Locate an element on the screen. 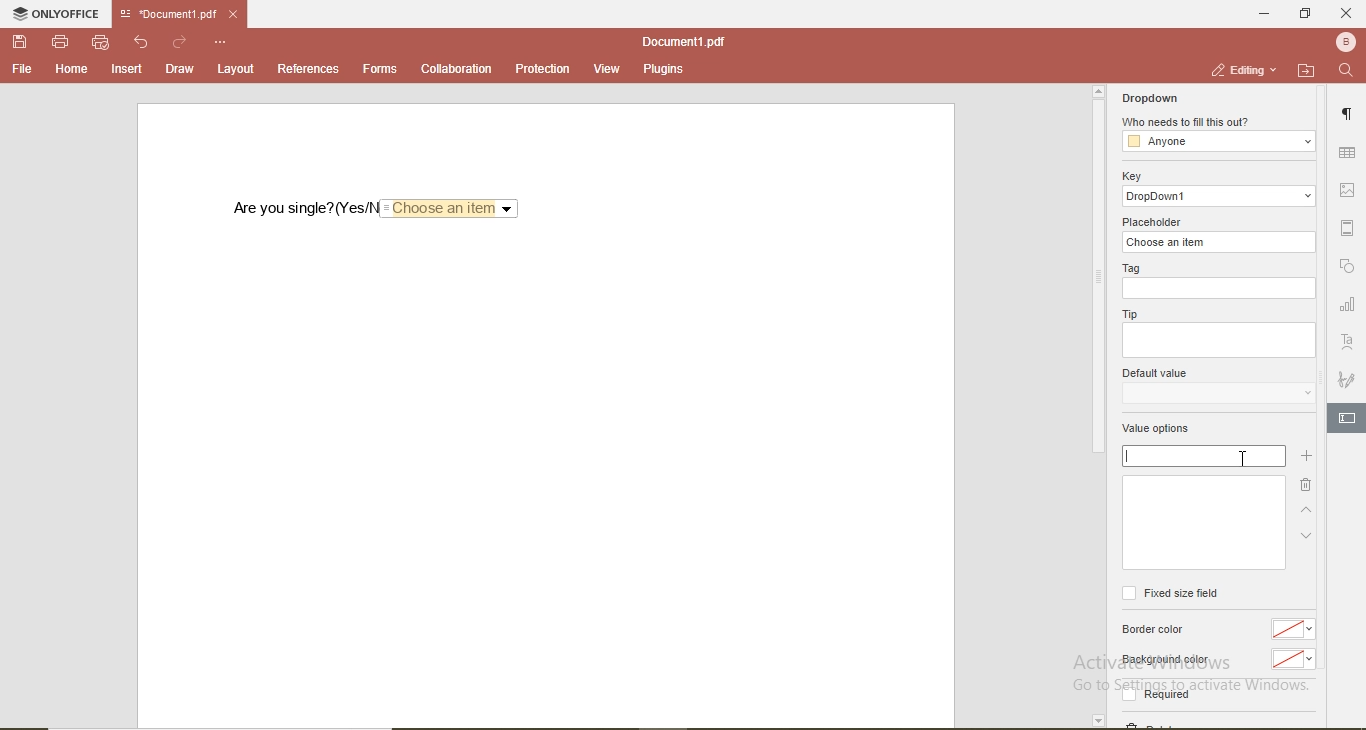  font style is located at coordinates (1350, 341).